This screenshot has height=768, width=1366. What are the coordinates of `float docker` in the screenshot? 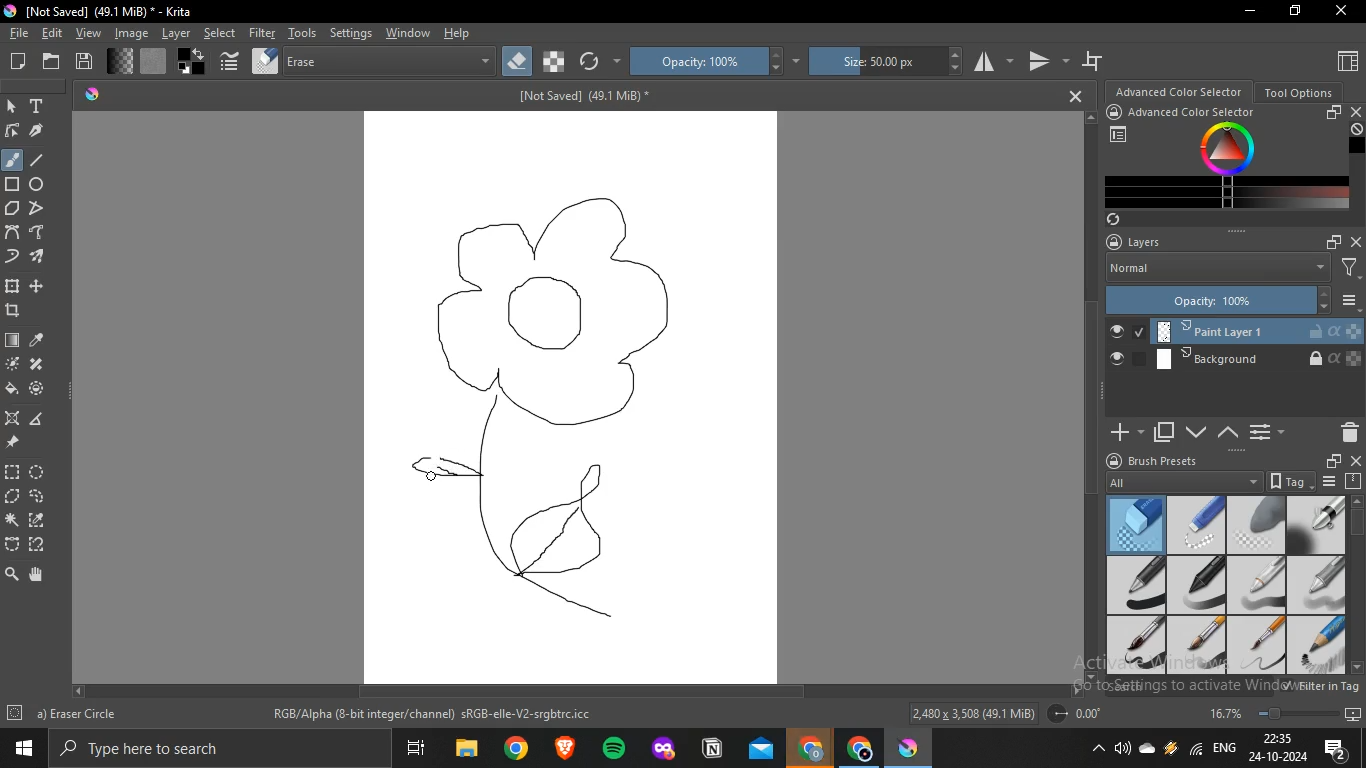 It's located at (1333, 241).